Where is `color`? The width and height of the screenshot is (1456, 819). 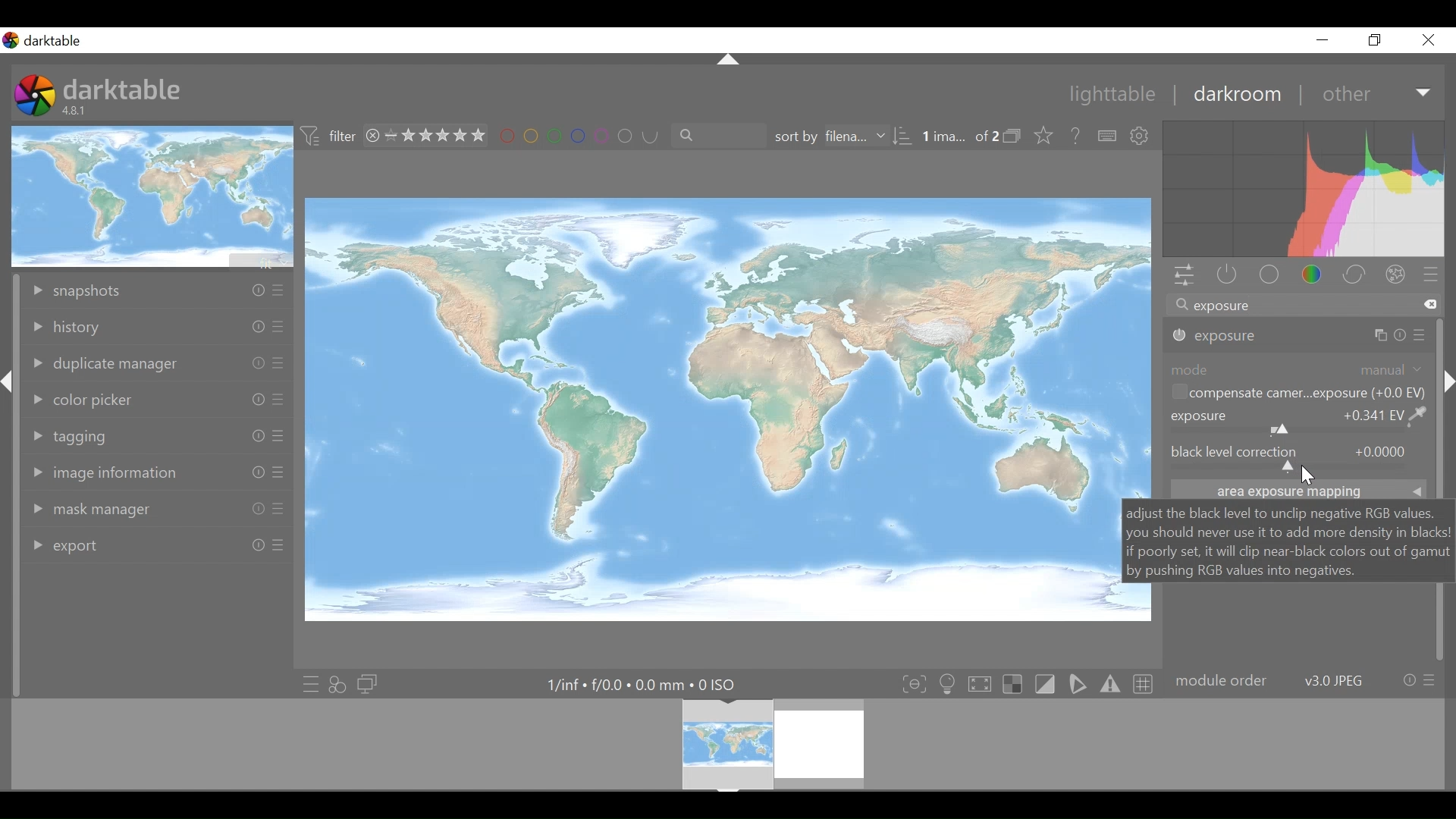 color is located at coordinates (1312, 275).